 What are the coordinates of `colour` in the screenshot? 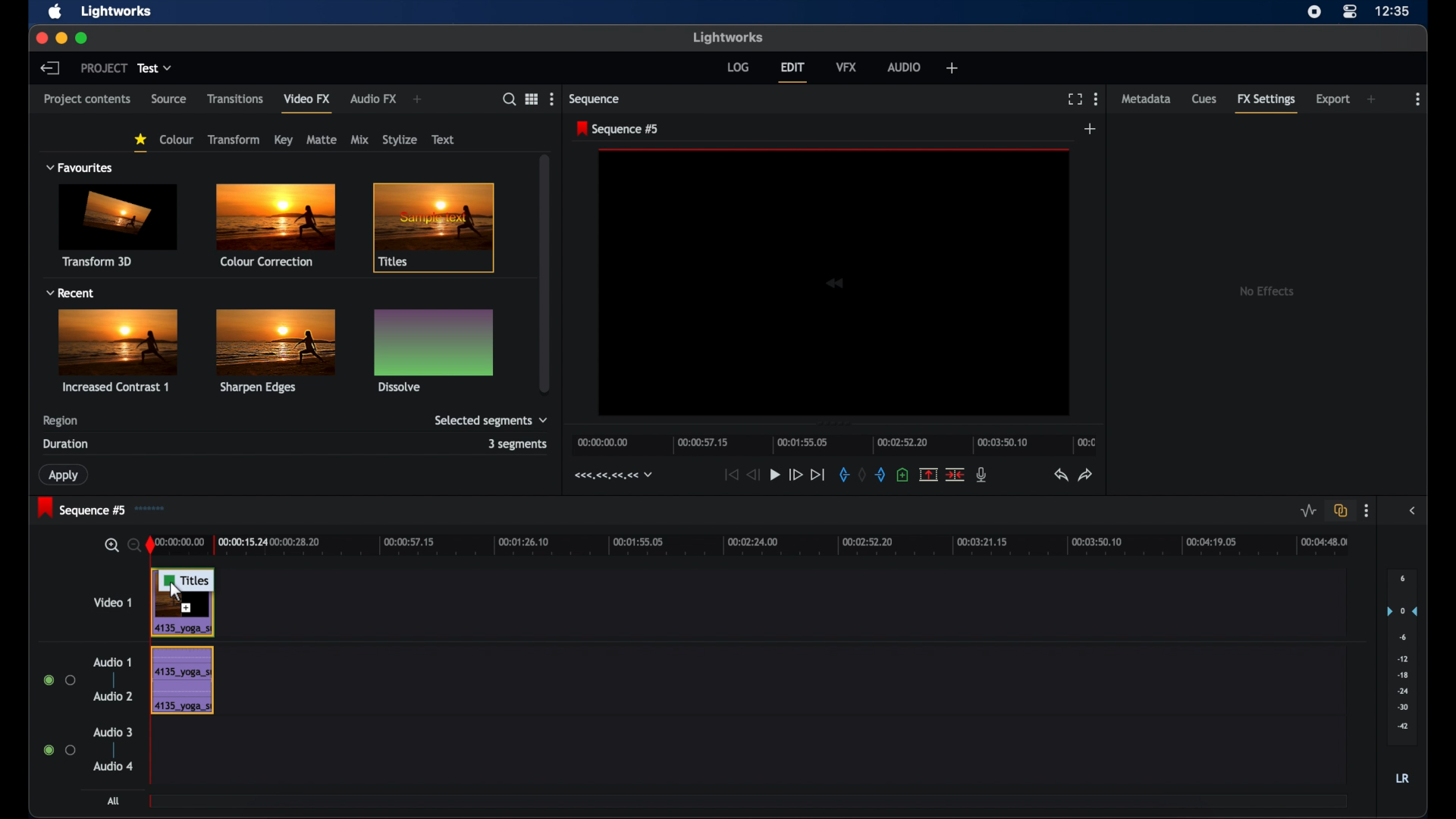 It's located at (176, 140).